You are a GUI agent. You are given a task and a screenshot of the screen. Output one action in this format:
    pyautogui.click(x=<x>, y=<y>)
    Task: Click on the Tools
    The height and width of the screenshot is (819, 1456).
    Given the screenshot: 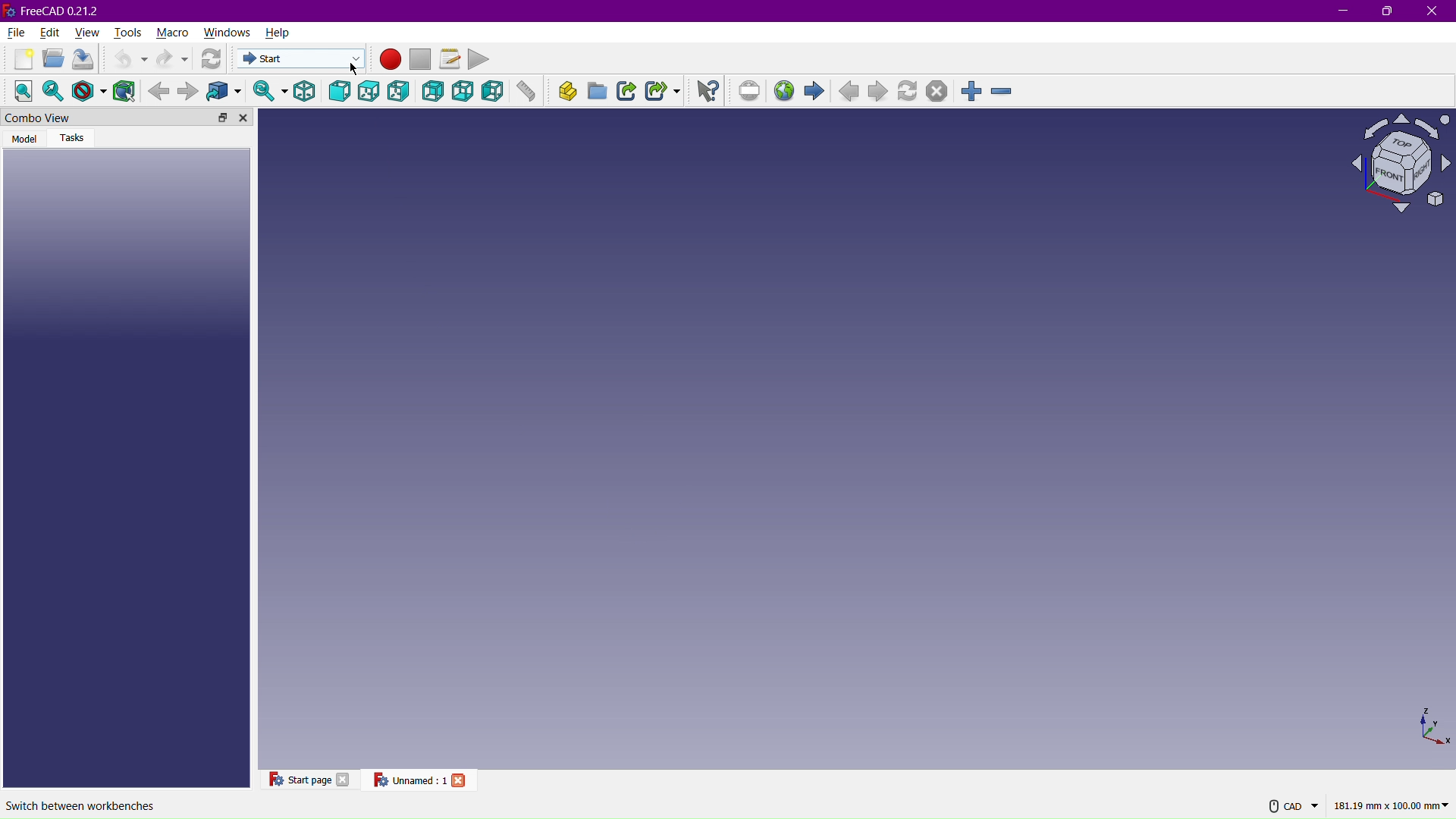 What is the action you would take?
    pyautogui.click(x=126, y=30)
    